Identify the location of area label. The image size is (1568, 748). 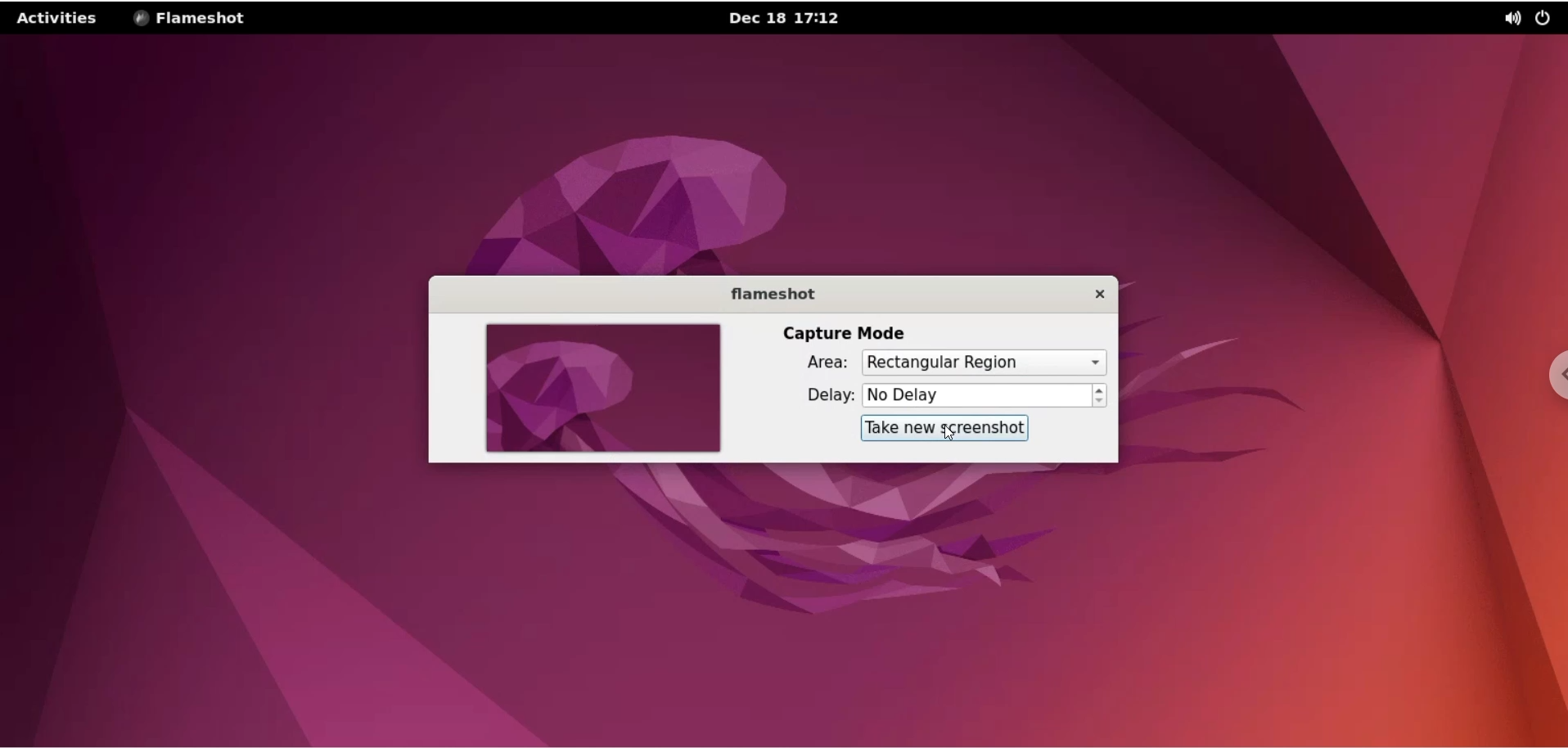
(819, 363).